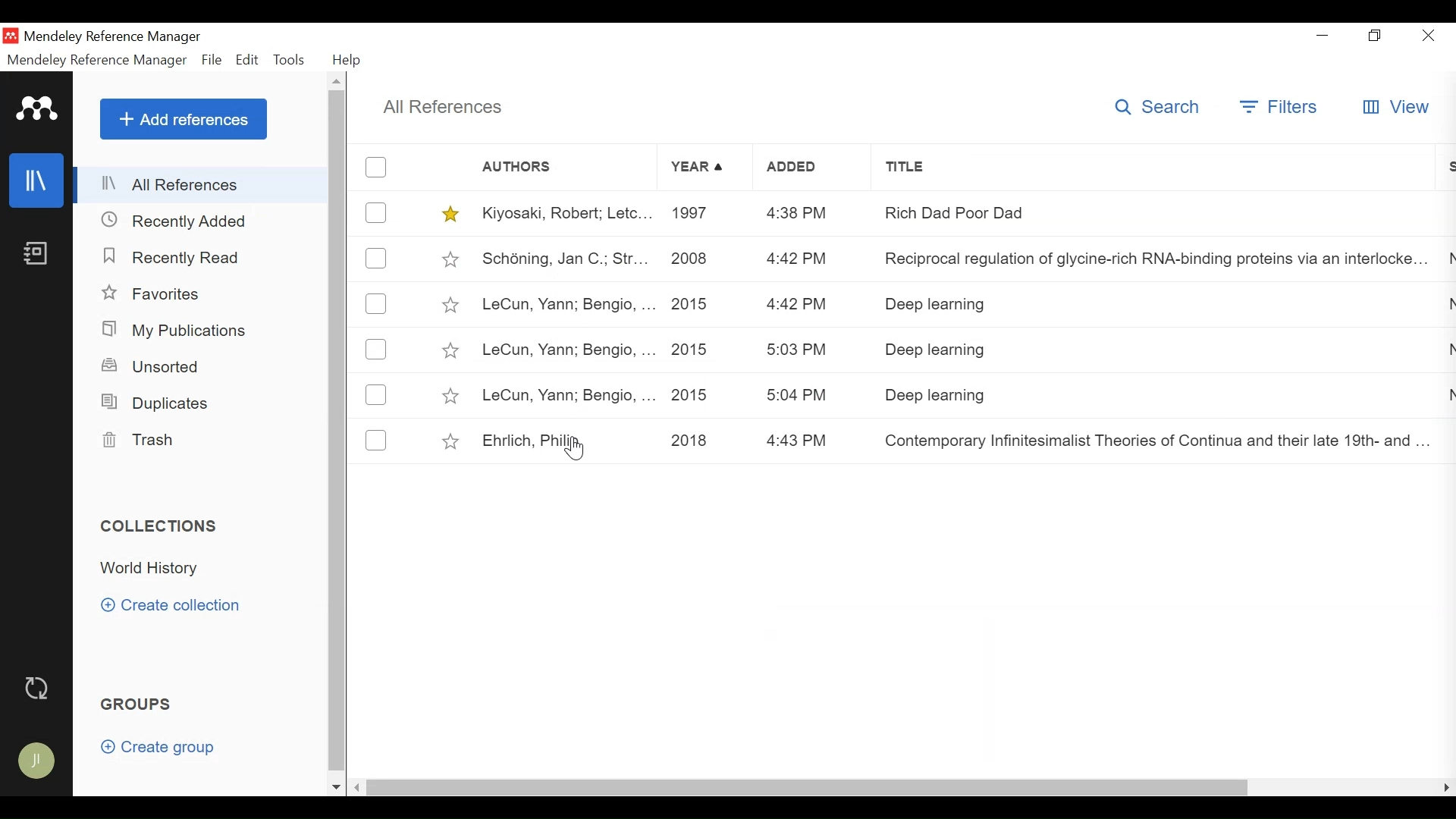  Describe the element at coordinates (161, 527) in the screenshot. I see `Collections` at that location.